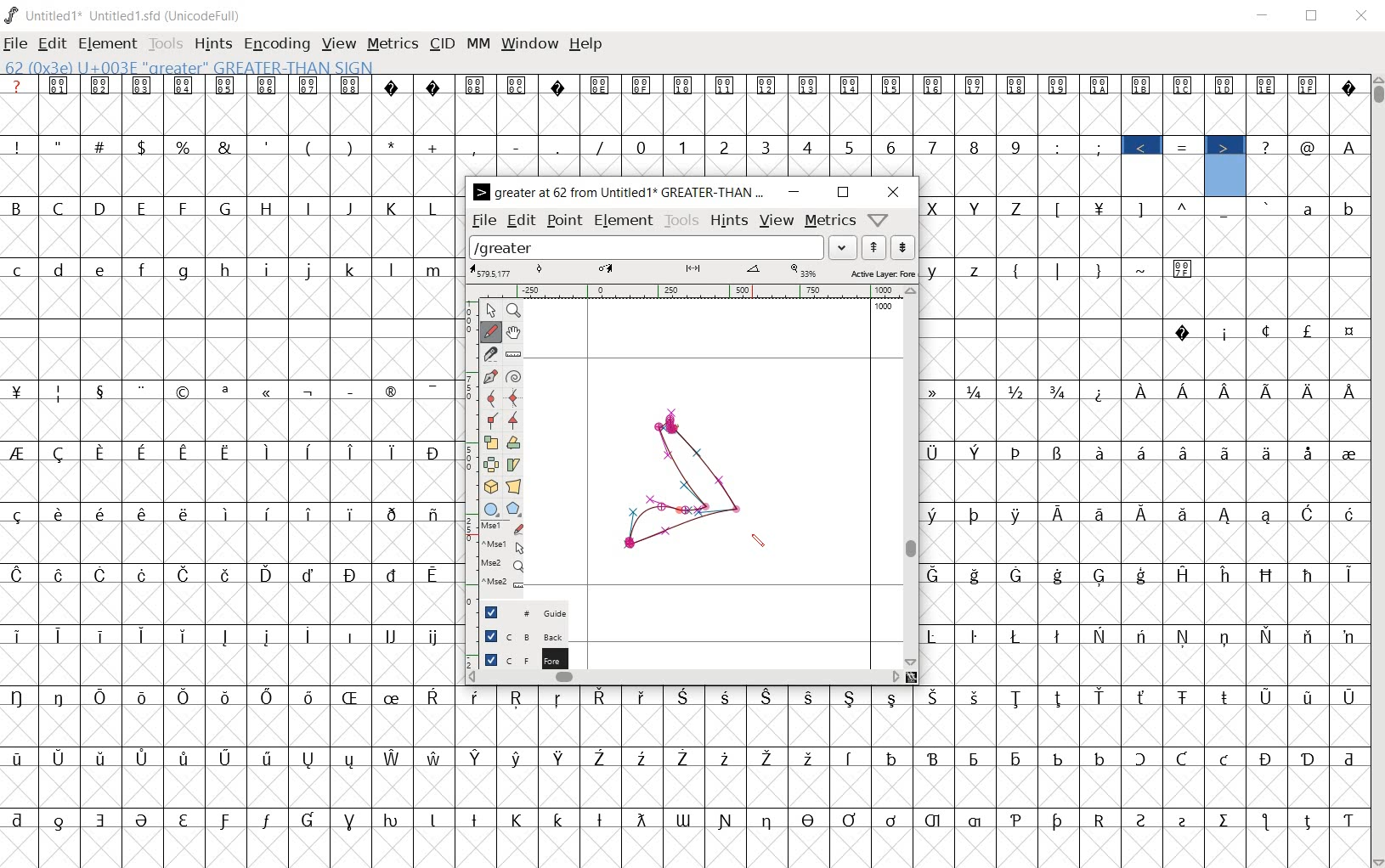 The image size is (1385, 868). What do you see at coordinates (876, 247) in the screenshot?
I see `show the next word on the list"` at bounding box center [876, 247].